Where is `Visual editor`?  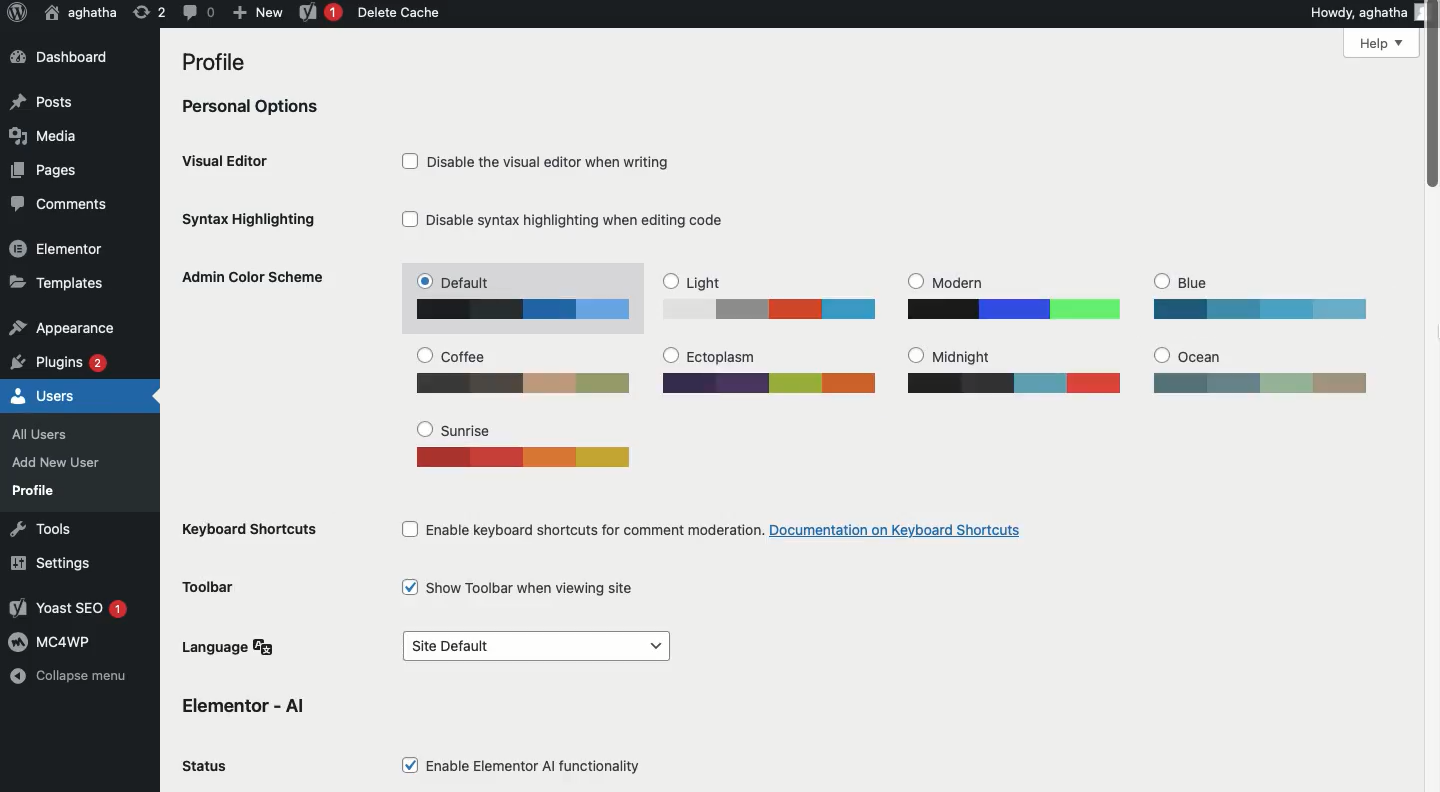
Visual editor is located at coordinates (225, 162).